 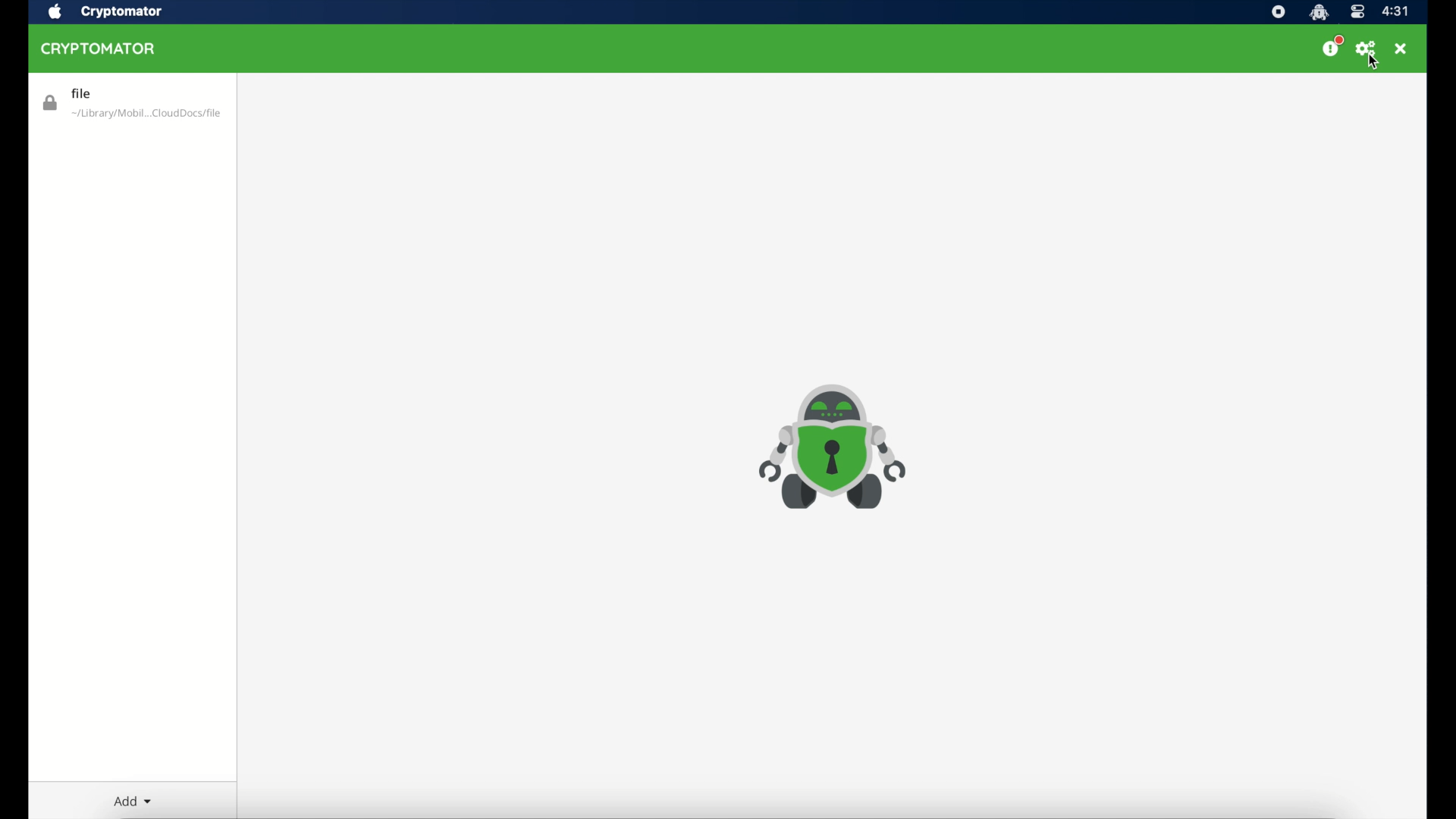 I want to click on cryptomator icon, so click(x=832, y=448).